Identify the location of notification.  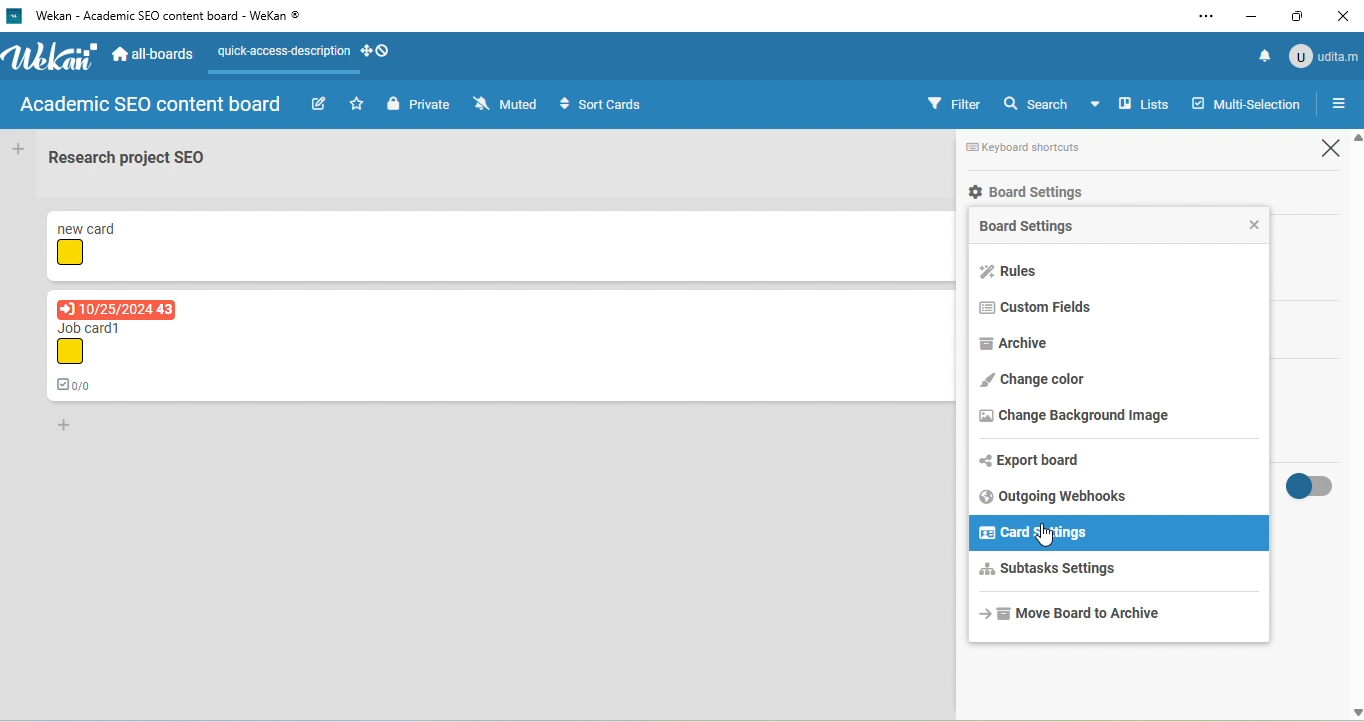
(1260, 60).